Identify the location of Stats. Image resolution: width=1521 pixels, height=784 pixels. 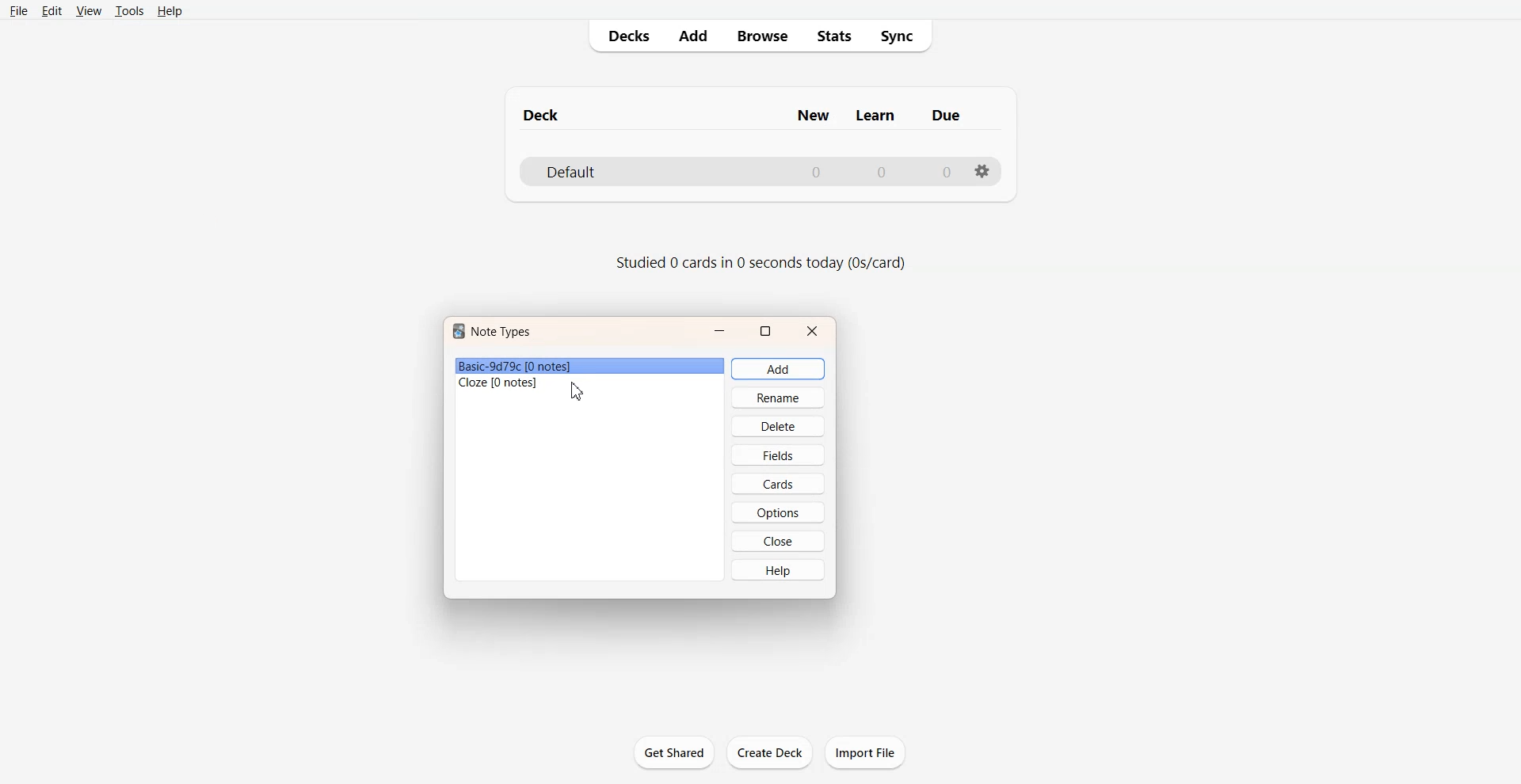
(833, 36).